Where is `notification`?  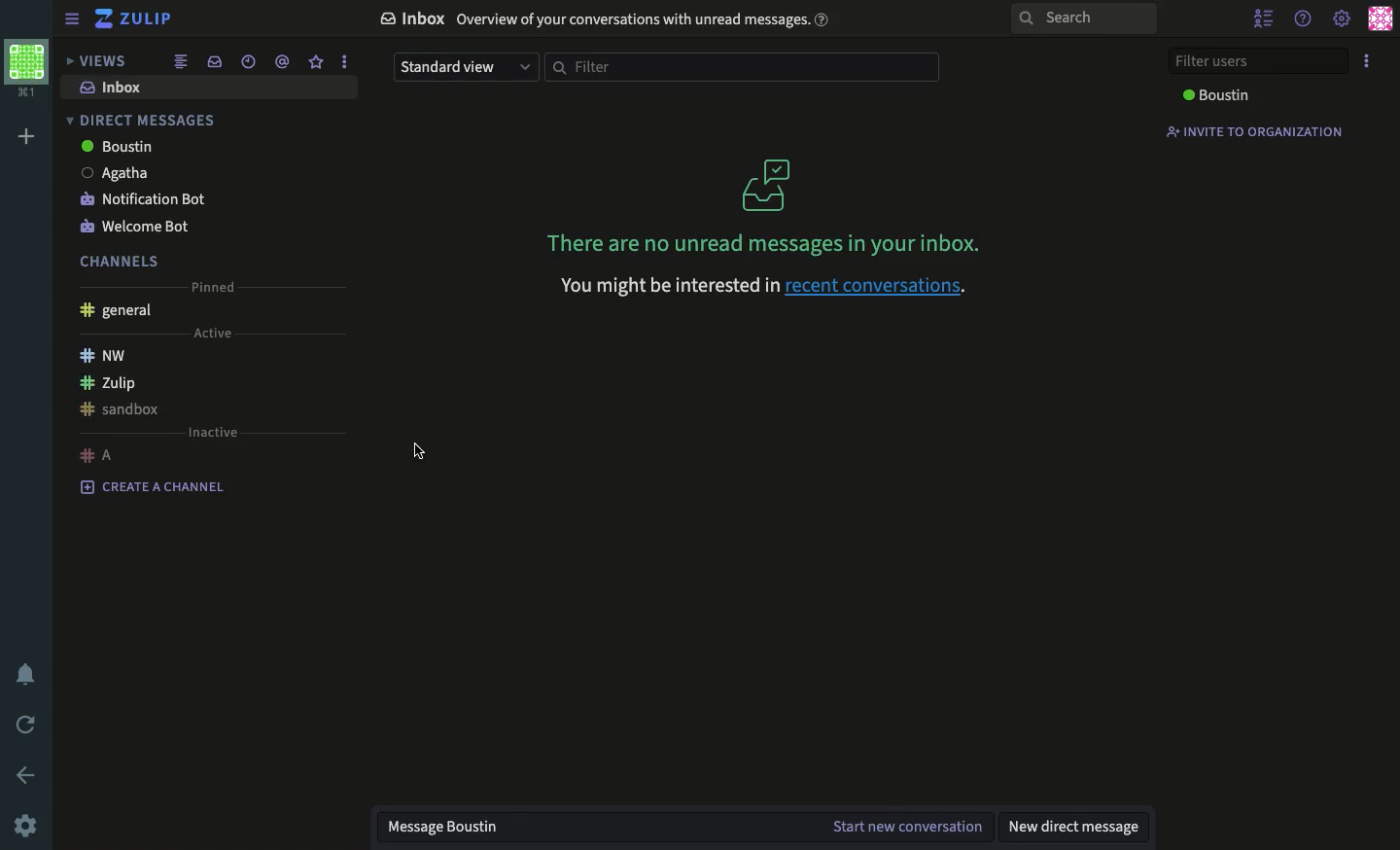
notification is located at coordinates (27, 674).